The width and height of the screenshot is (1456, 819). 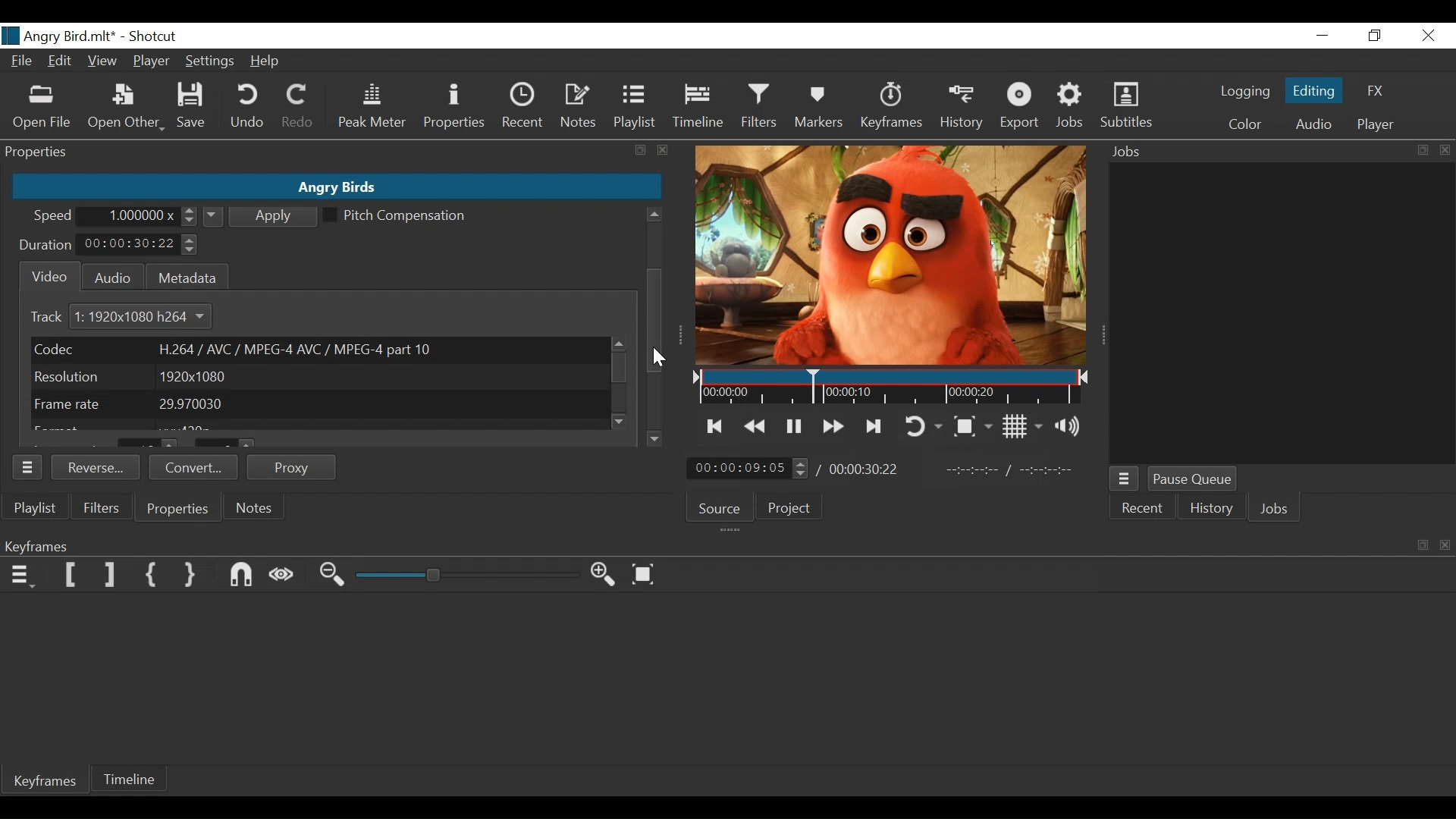 What do you see at coordinates (1275, 152) in the screenshot?
I see `Jobs Panel` at bounding box center [1275, 152].